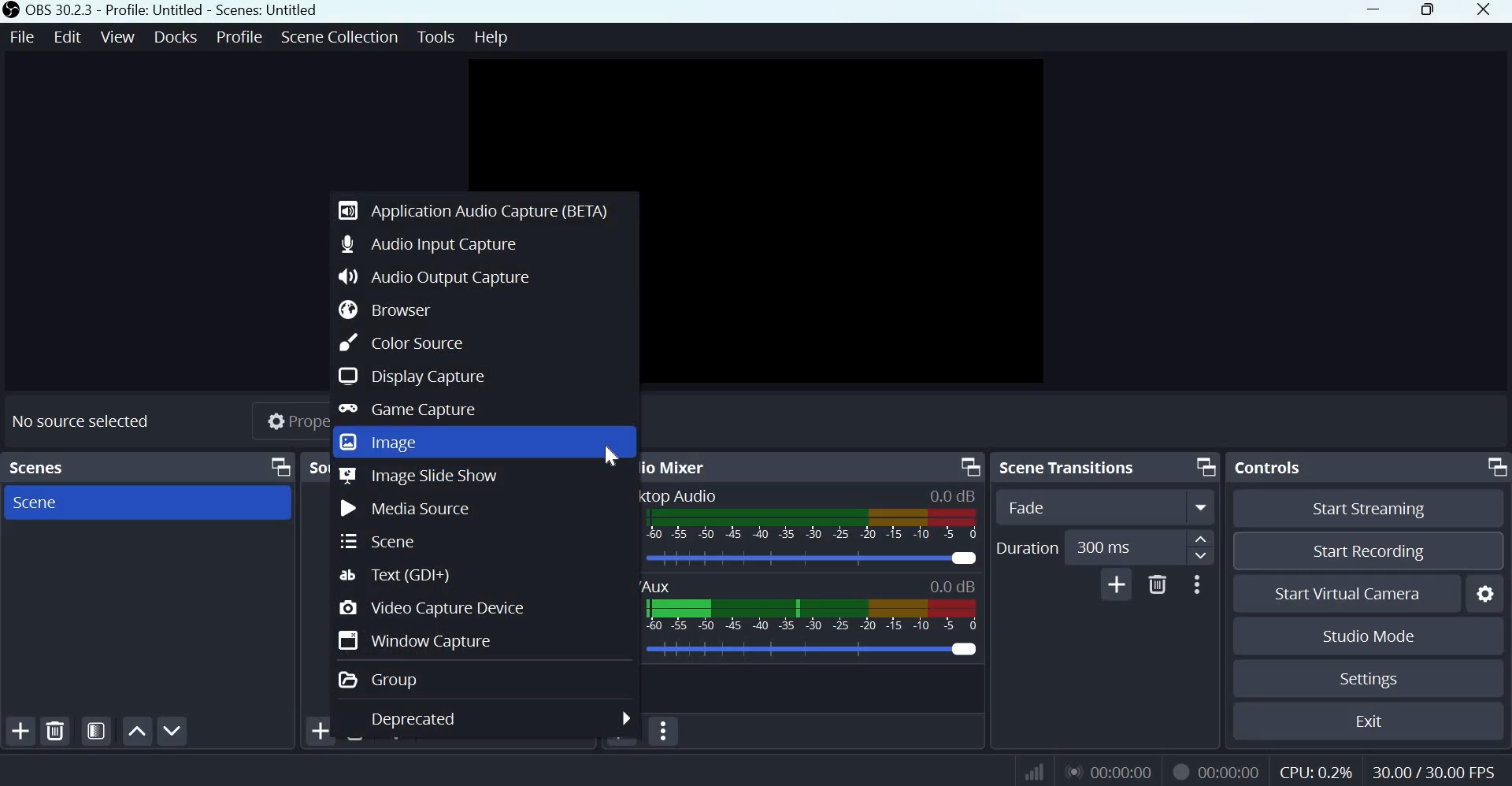 The image size is (1512, 786). What do you see at coordinates (407, 510) in the screenshot?
I see `Media source` at bounding box center [407, 510].